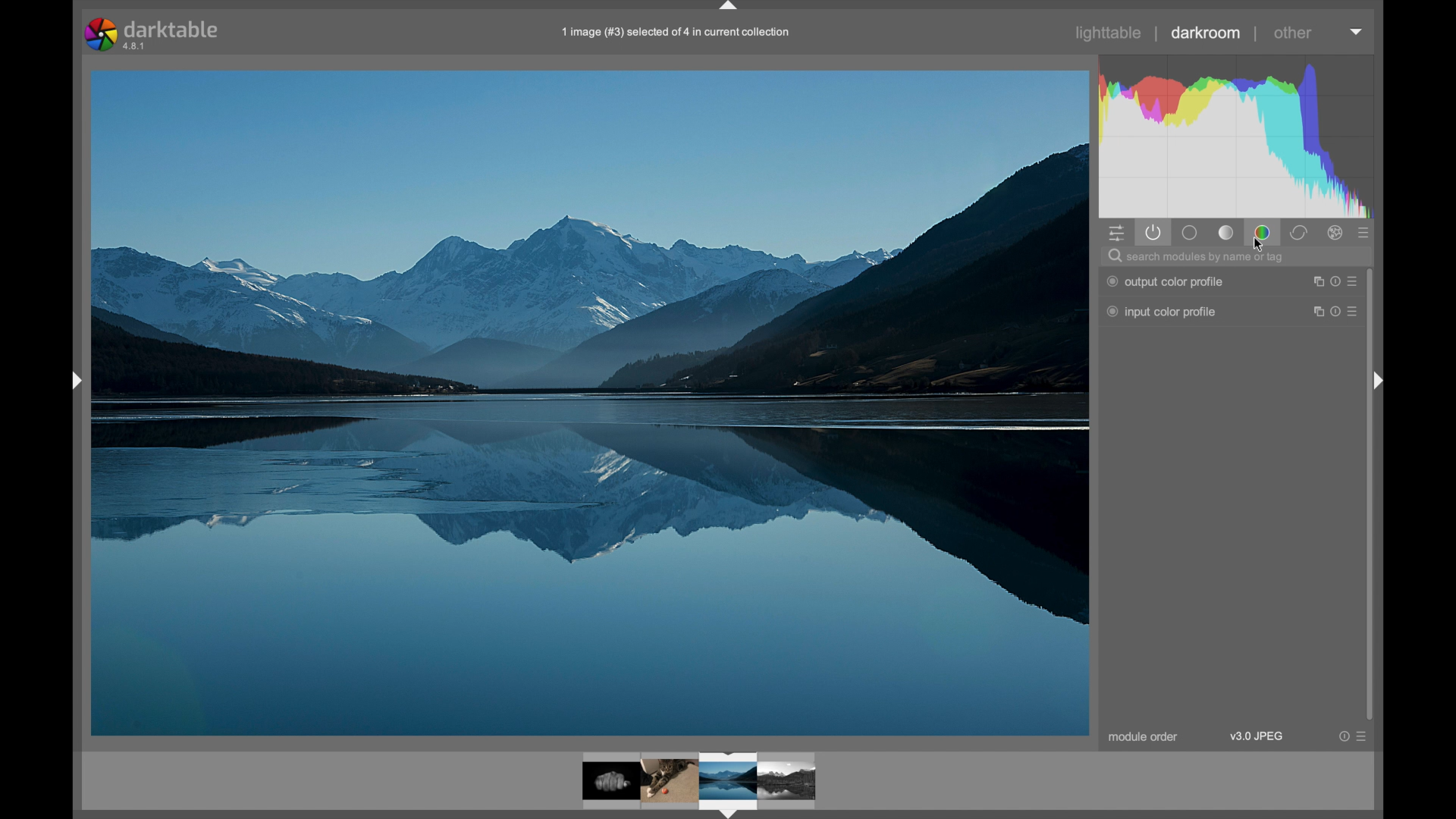 This screenshot has width=1456, height=819. I want to click on cursor, so click(1261, 247).